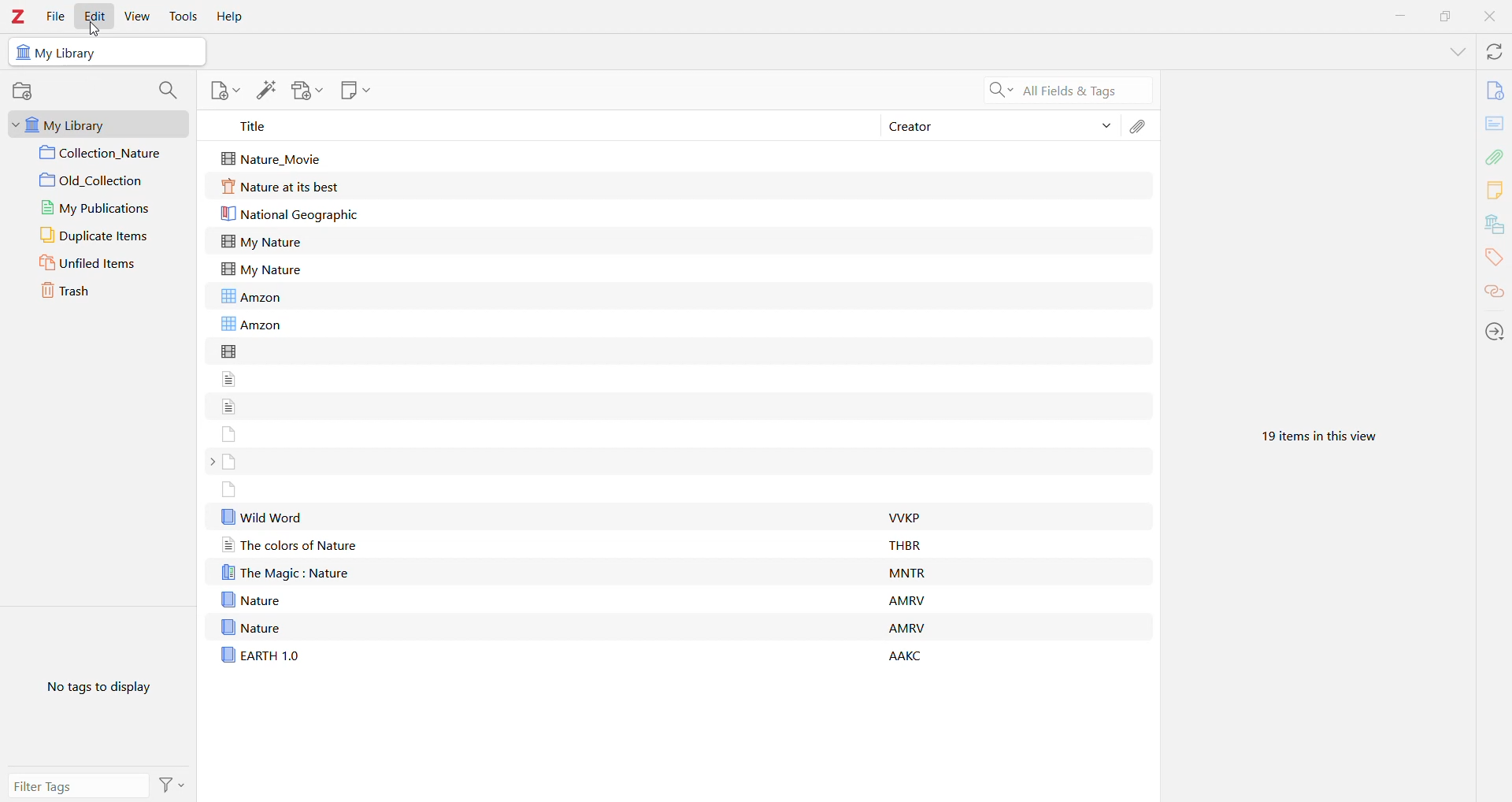  Describe the element at coordinates (250, 600) in the screenshot. I see `Nature` at that location.